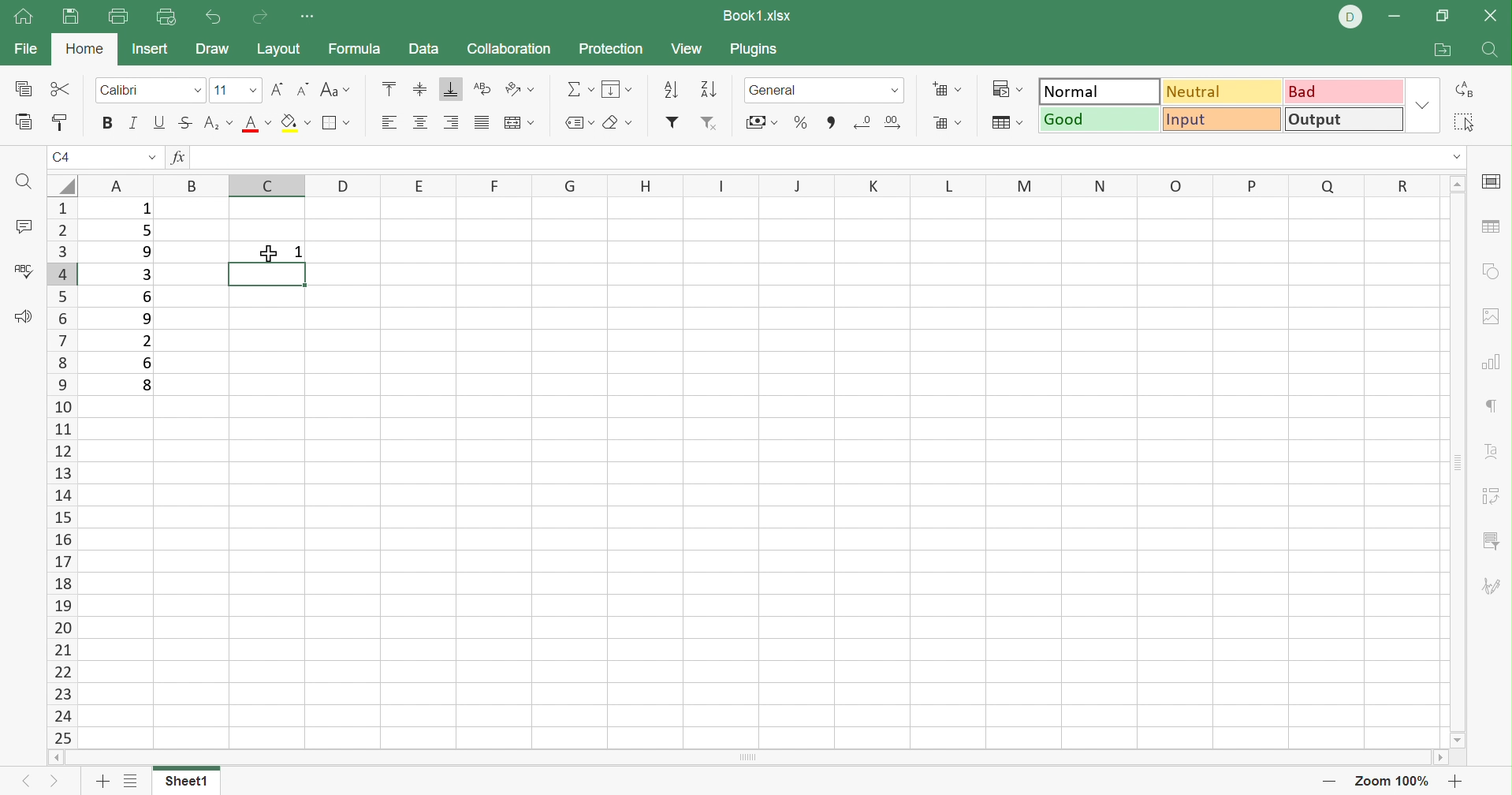  Describe the element at coordinates (101, 781) in the screenshot. I see `Add sheet` at that location.